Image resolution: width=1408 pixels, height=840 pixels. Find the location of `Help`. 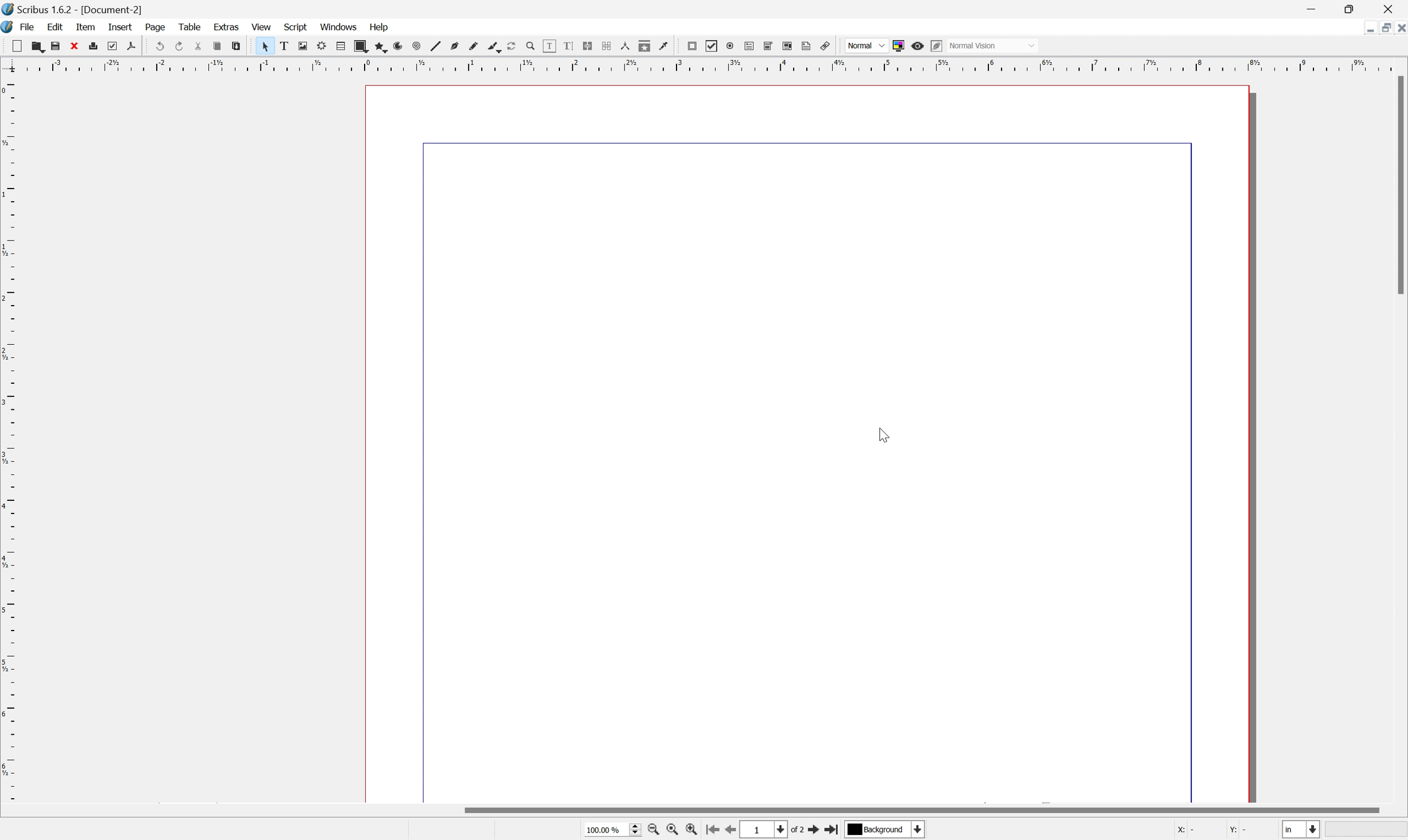

Help is located at coordinates (378, 27).